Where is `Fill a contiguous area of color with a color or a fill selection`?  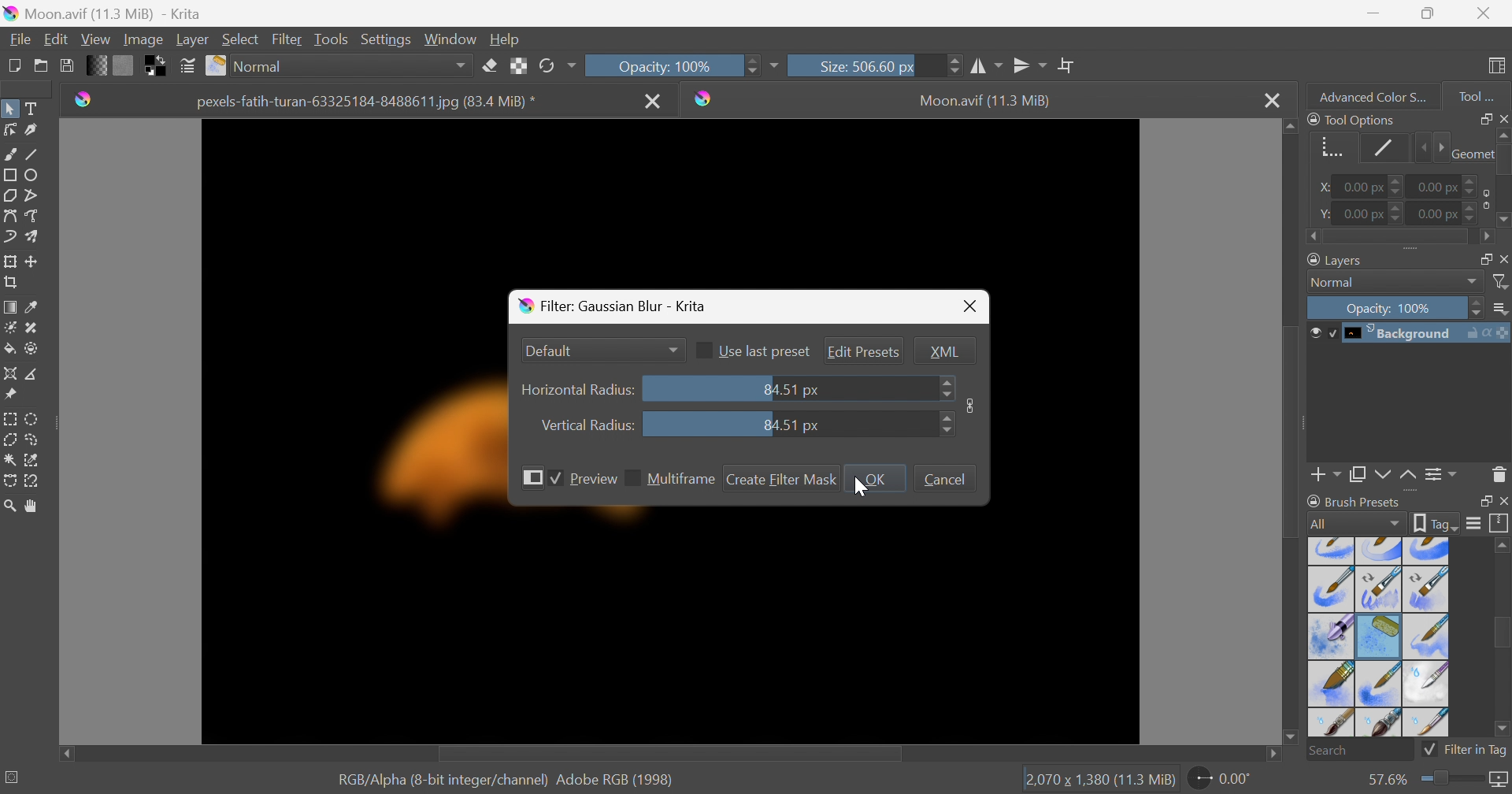
Fill a contiguous area of color with a color or a fill selection is located at coordinates (10, 348).